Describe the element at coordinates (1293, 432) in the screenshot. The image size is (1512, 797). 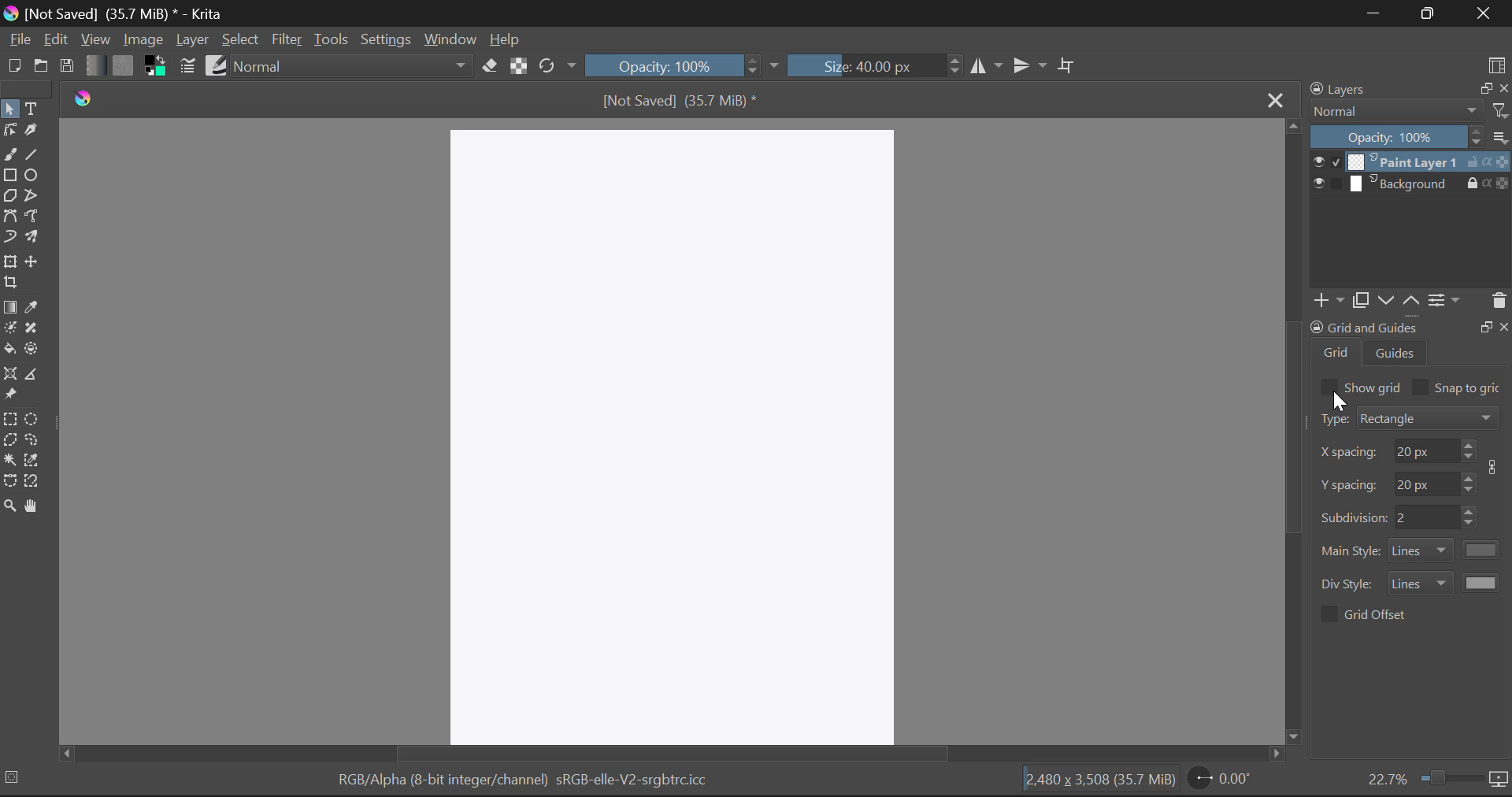
I see `Scroll Bar` at that location.